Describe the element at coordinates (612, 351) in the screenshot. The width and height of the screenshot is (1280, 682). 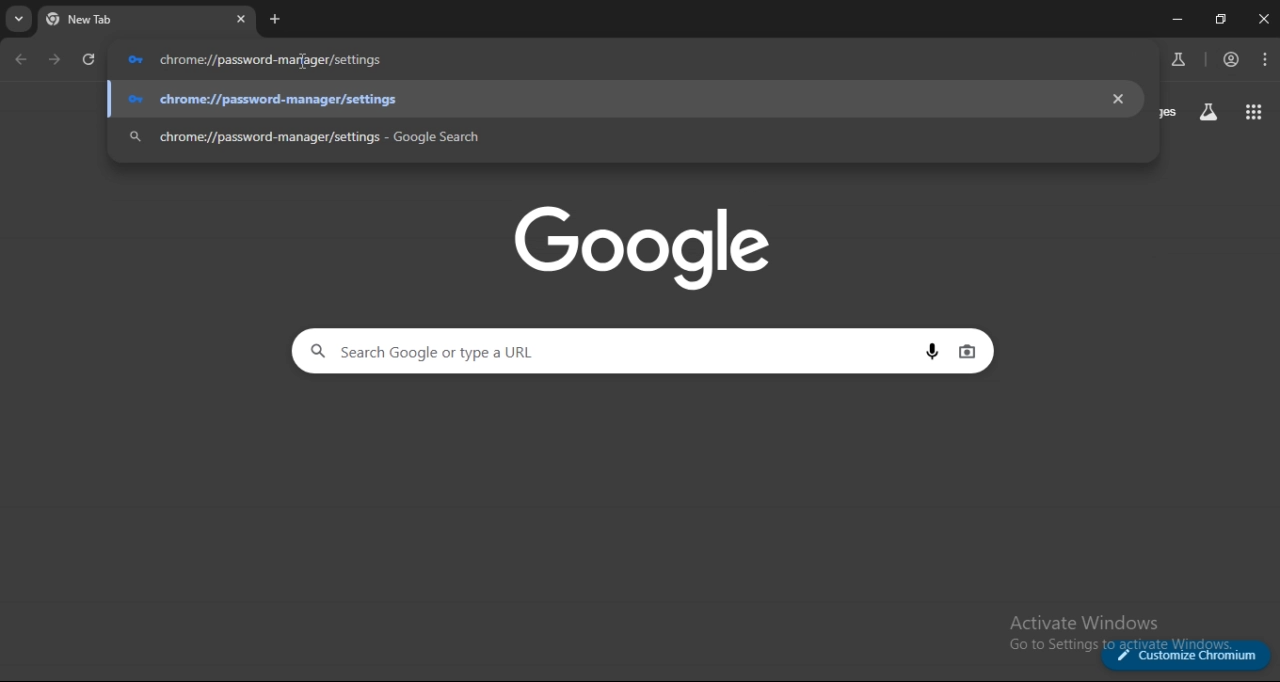
I see `search google or type a URL` at that location.